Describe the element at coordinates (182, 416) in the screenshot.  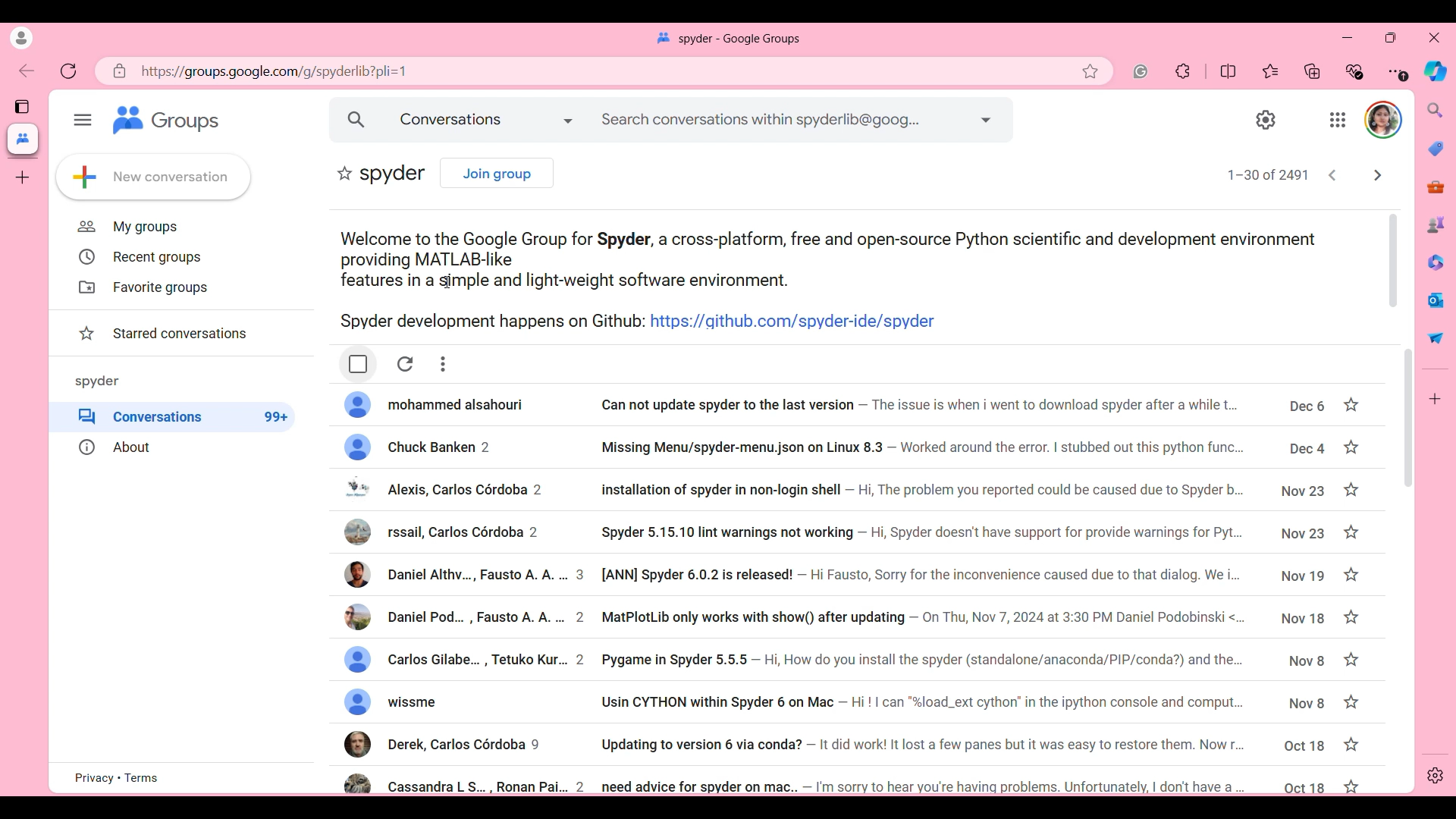
I see `Conversations and their count` at that location.